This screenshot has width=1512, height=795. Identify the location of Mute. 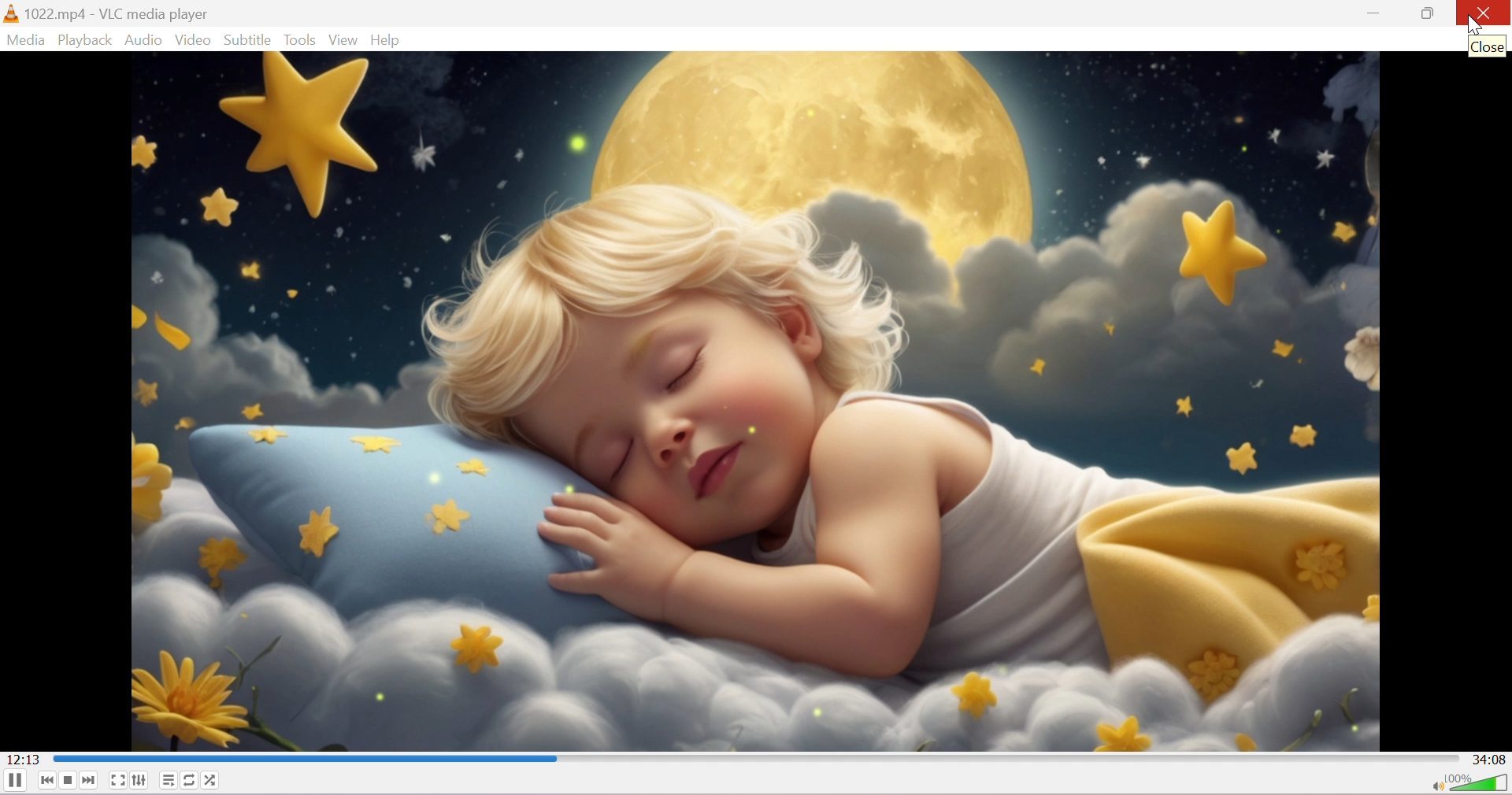
(1437, 788).